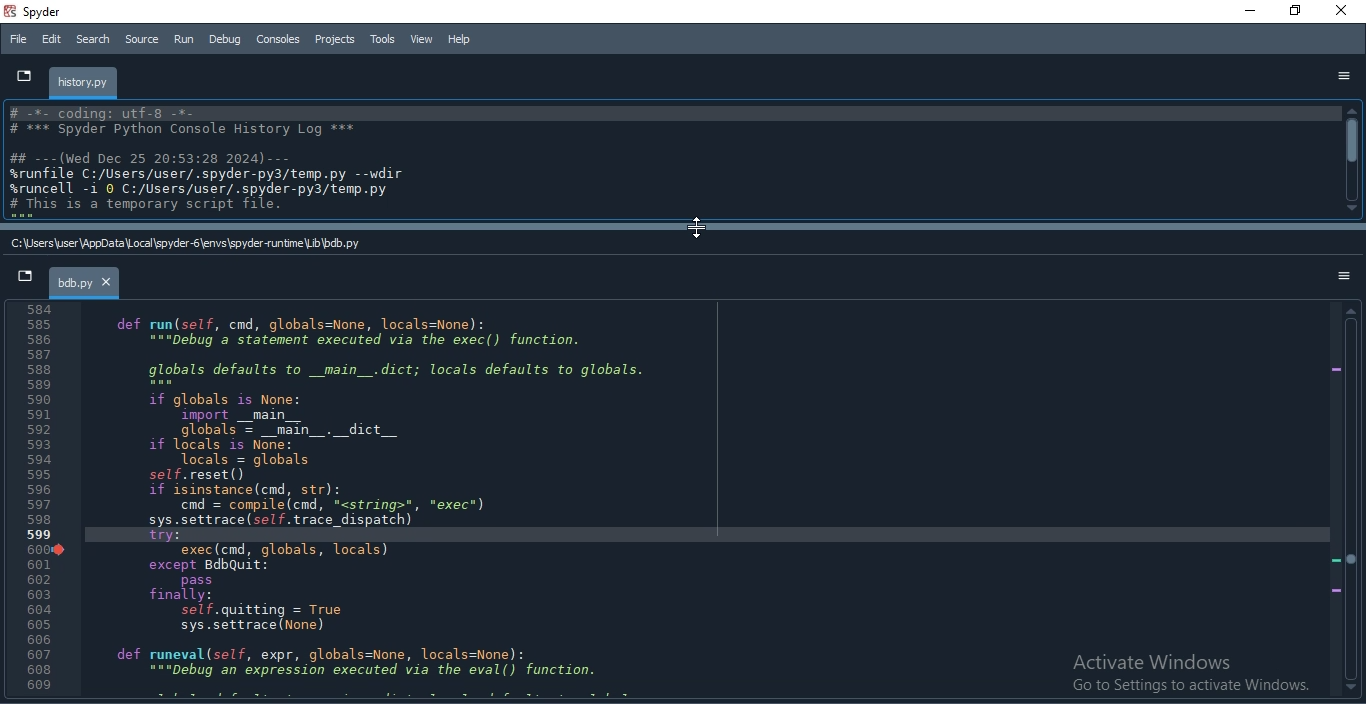  I want to click on Debug, so click(223, 41).